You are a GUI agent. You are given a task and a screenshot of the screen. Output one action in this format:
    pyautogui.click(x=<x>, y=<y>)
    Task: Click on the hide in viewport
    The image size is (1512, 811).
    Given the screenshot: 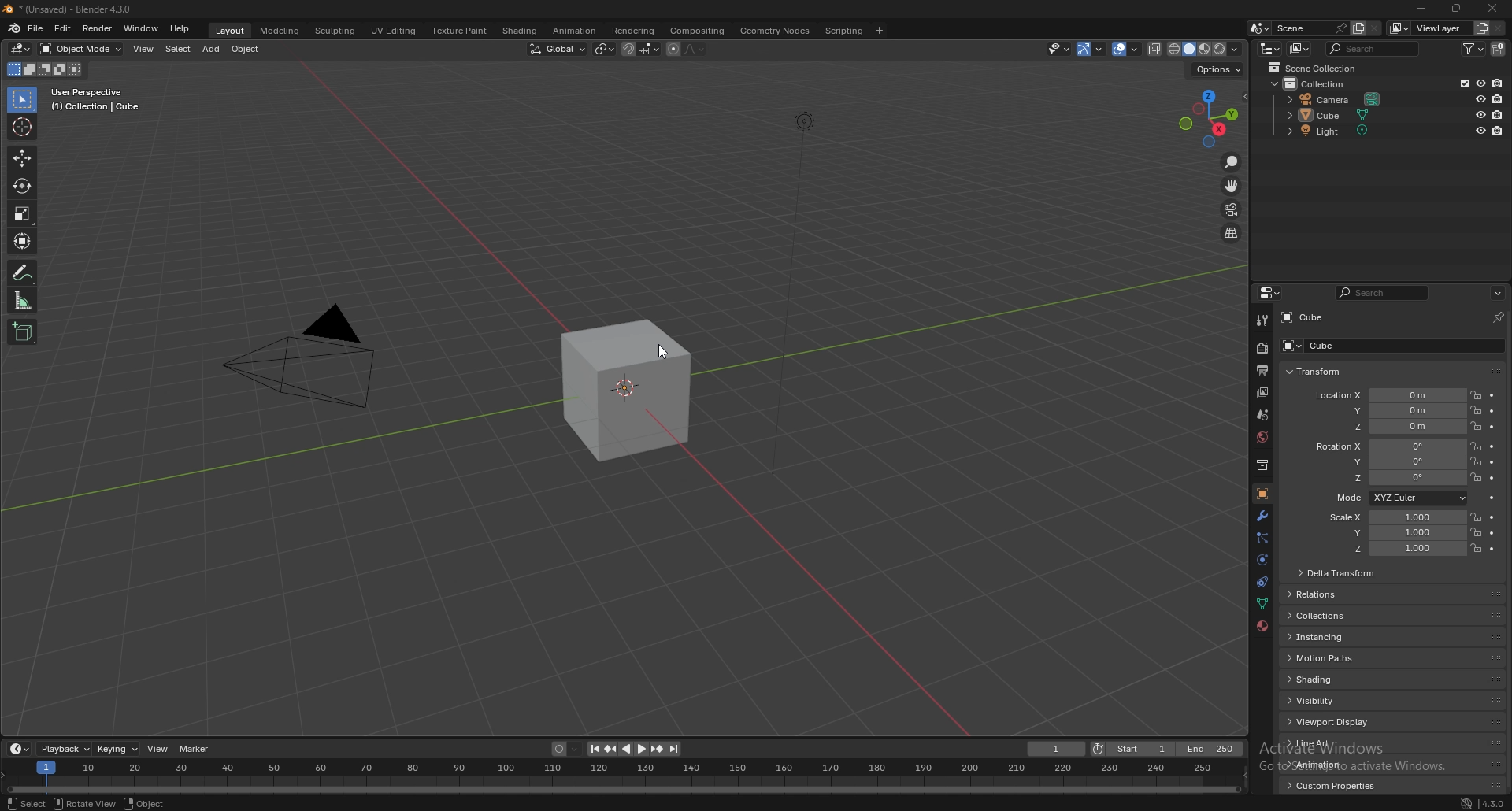 What is the action you would take?
    pyautogui.click(x=1479, y=114)
    